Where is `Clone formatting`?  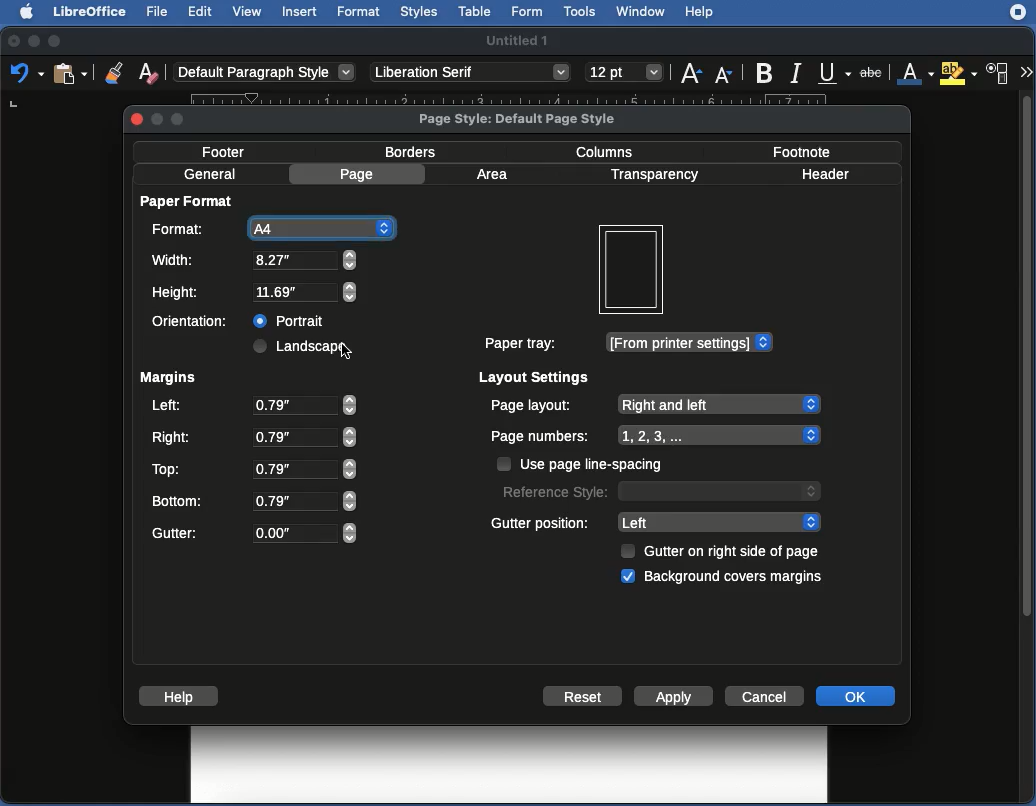
Clone formatting is located at coordinates (113, 72).